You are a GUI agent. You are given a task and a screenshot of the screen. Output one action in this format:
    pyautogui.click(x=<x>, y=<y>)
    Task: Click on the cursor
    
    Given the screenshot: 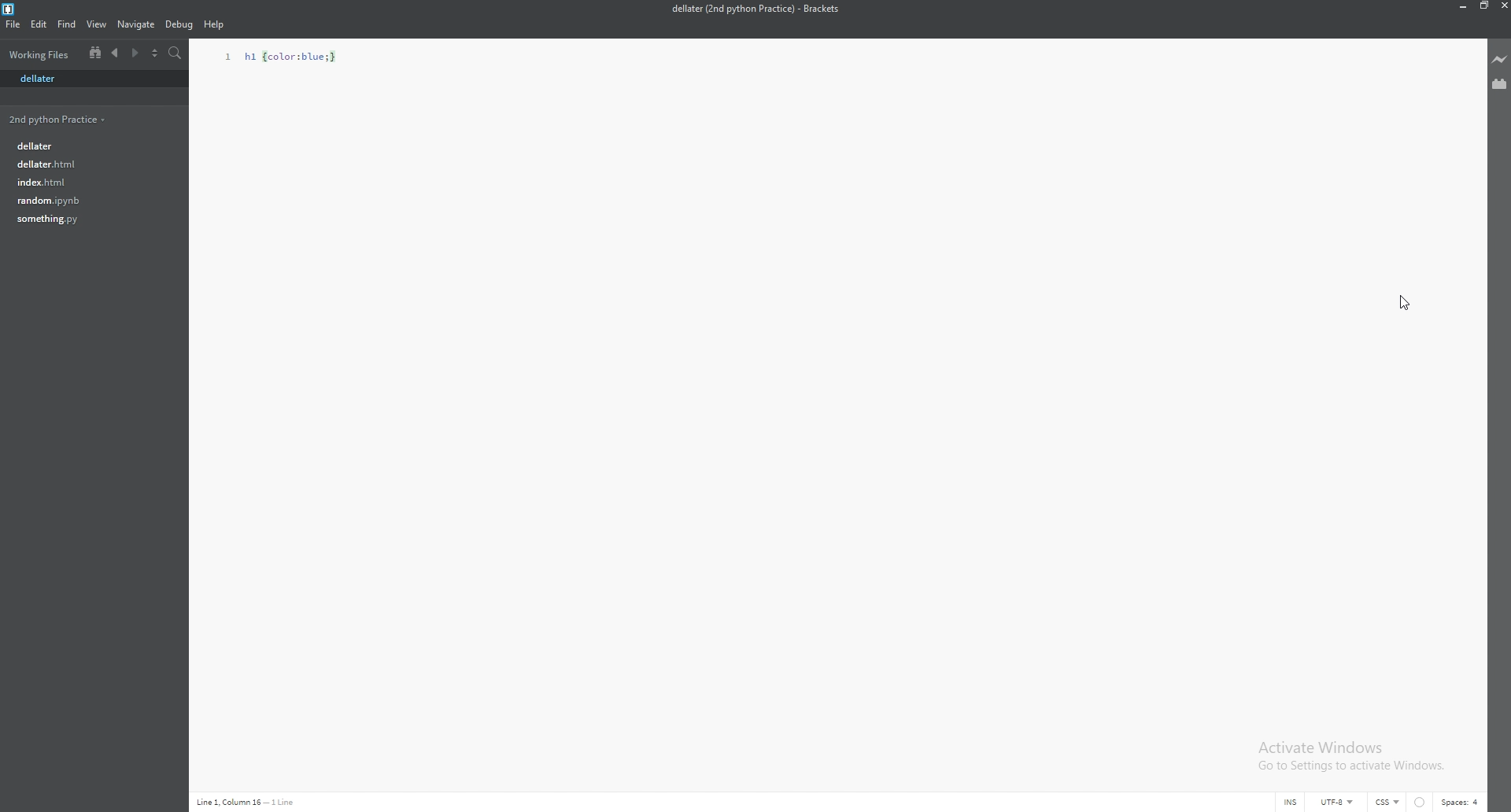 What is the action you would take?
    pyautogui.click(x=1410, y=304)
    